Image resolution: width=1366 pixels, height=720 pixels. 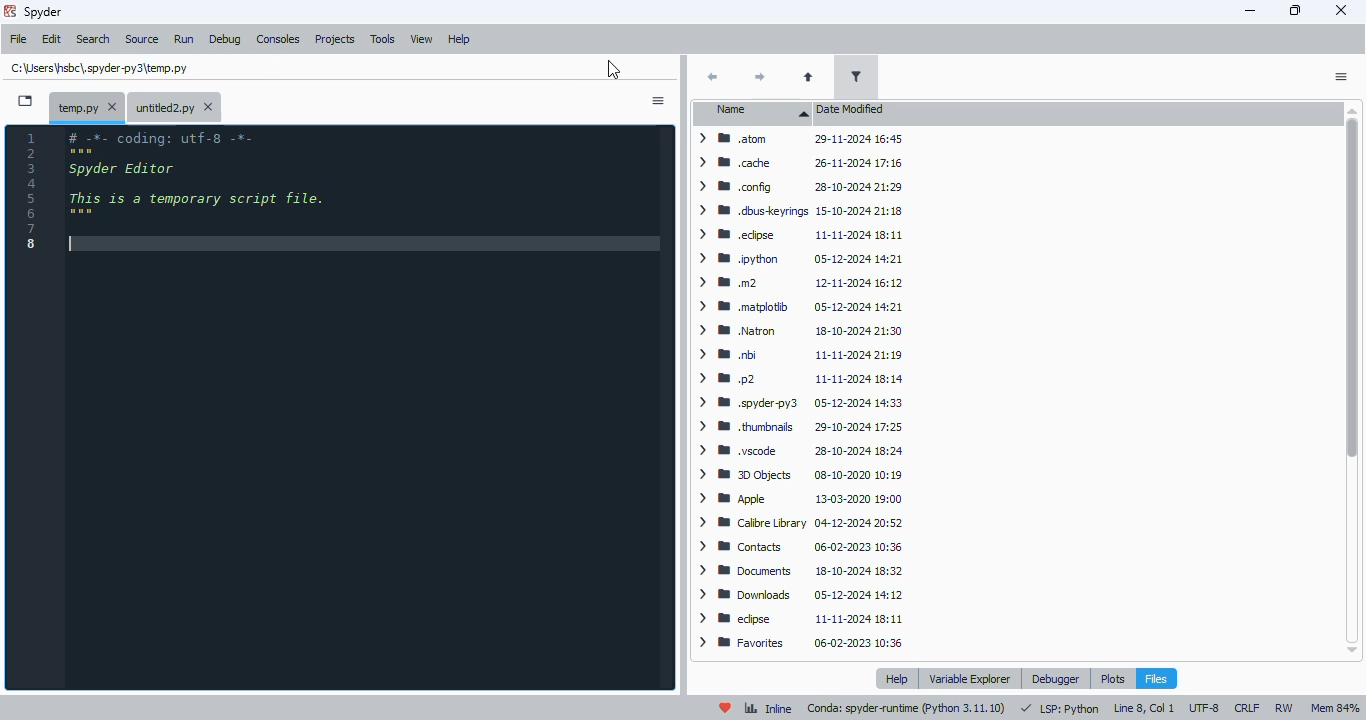 What do you see at coordinates (754, 112) in the screenshot?
I see `name` at bounding box center [754, 112].